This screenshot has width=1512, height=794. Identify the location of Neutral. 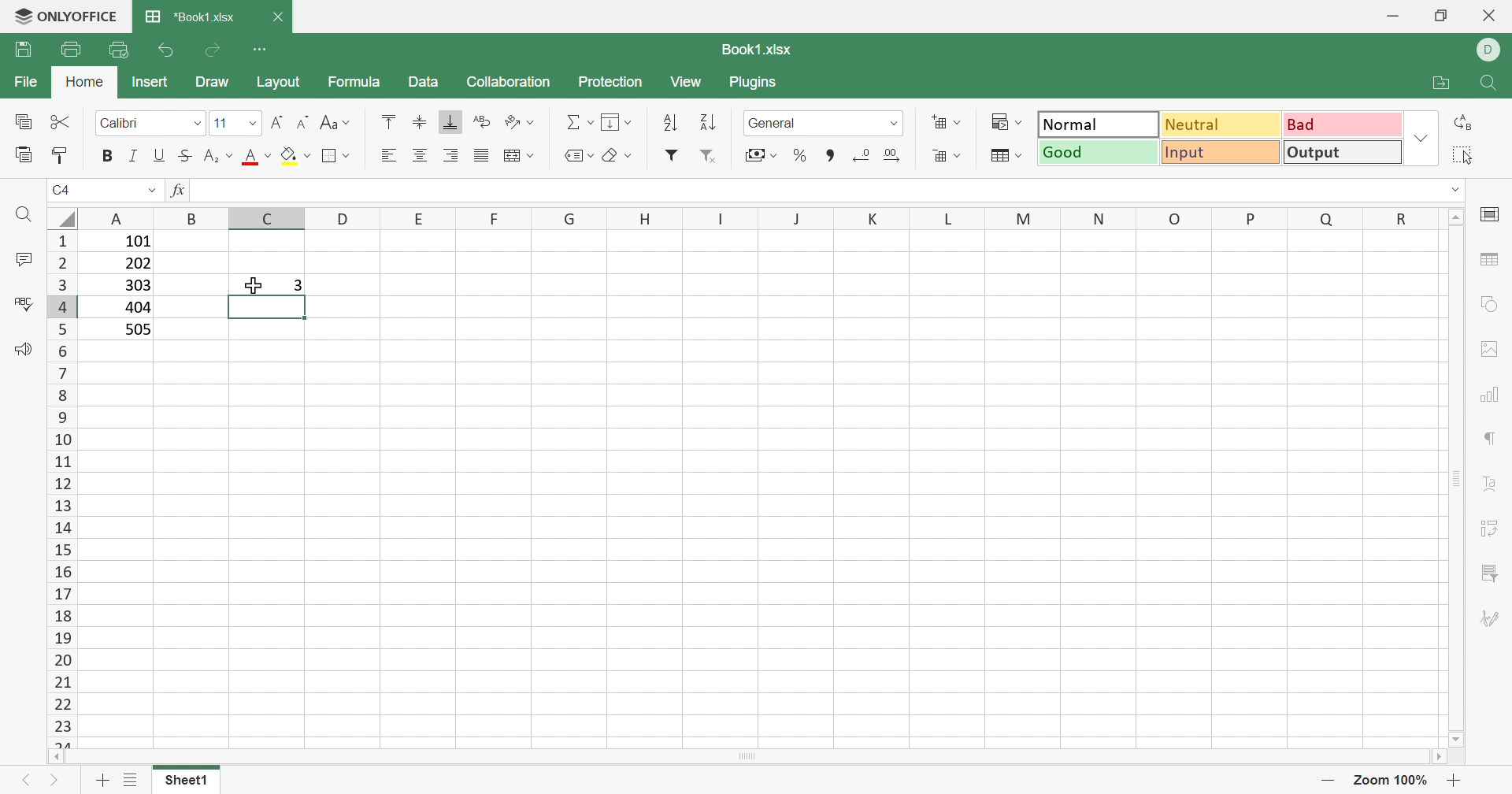
(1222, 124).